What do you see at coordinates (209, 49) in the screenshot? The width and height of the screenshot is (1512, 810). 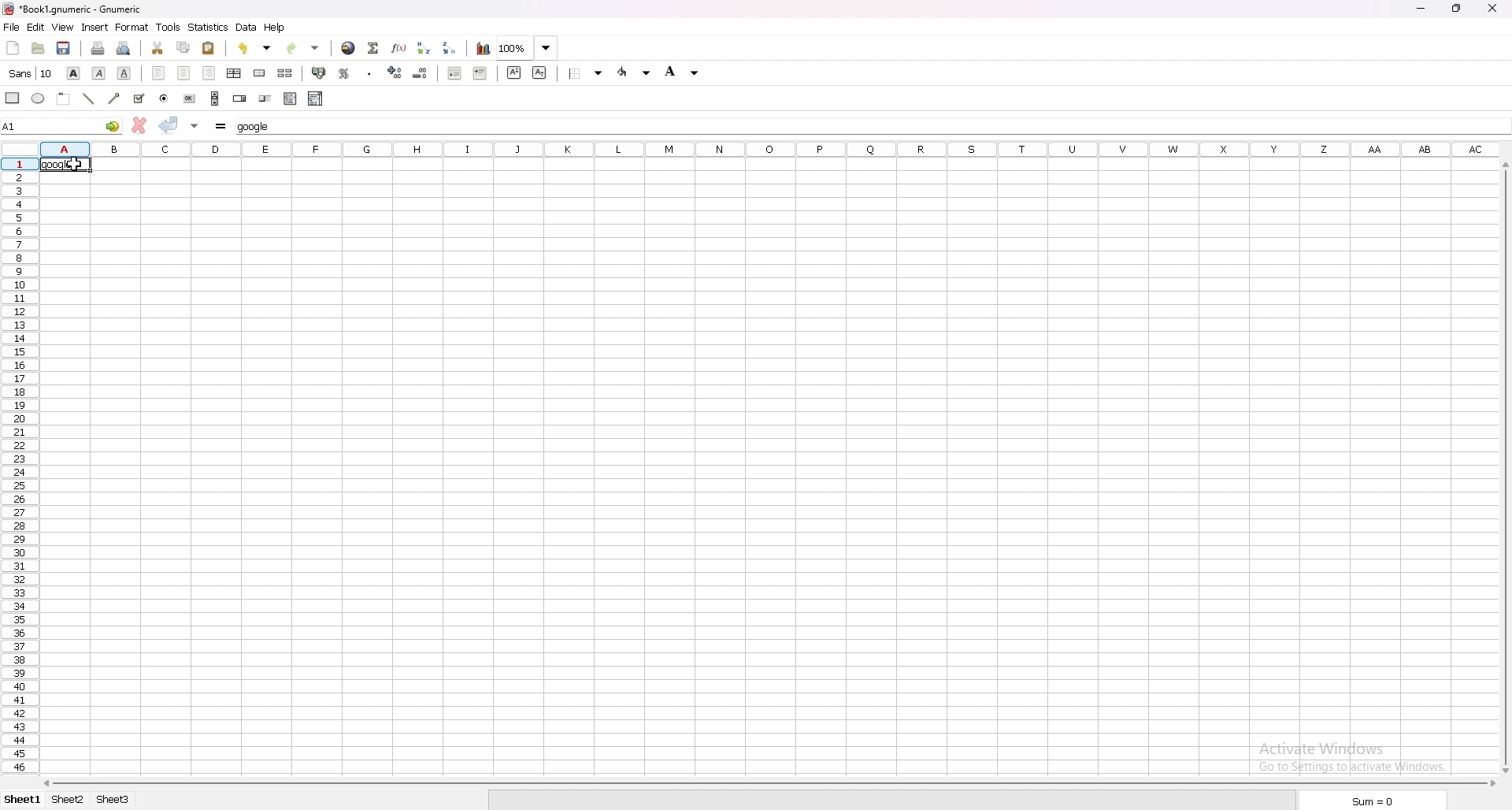 I see `paste` at bounding box center [209, 49].